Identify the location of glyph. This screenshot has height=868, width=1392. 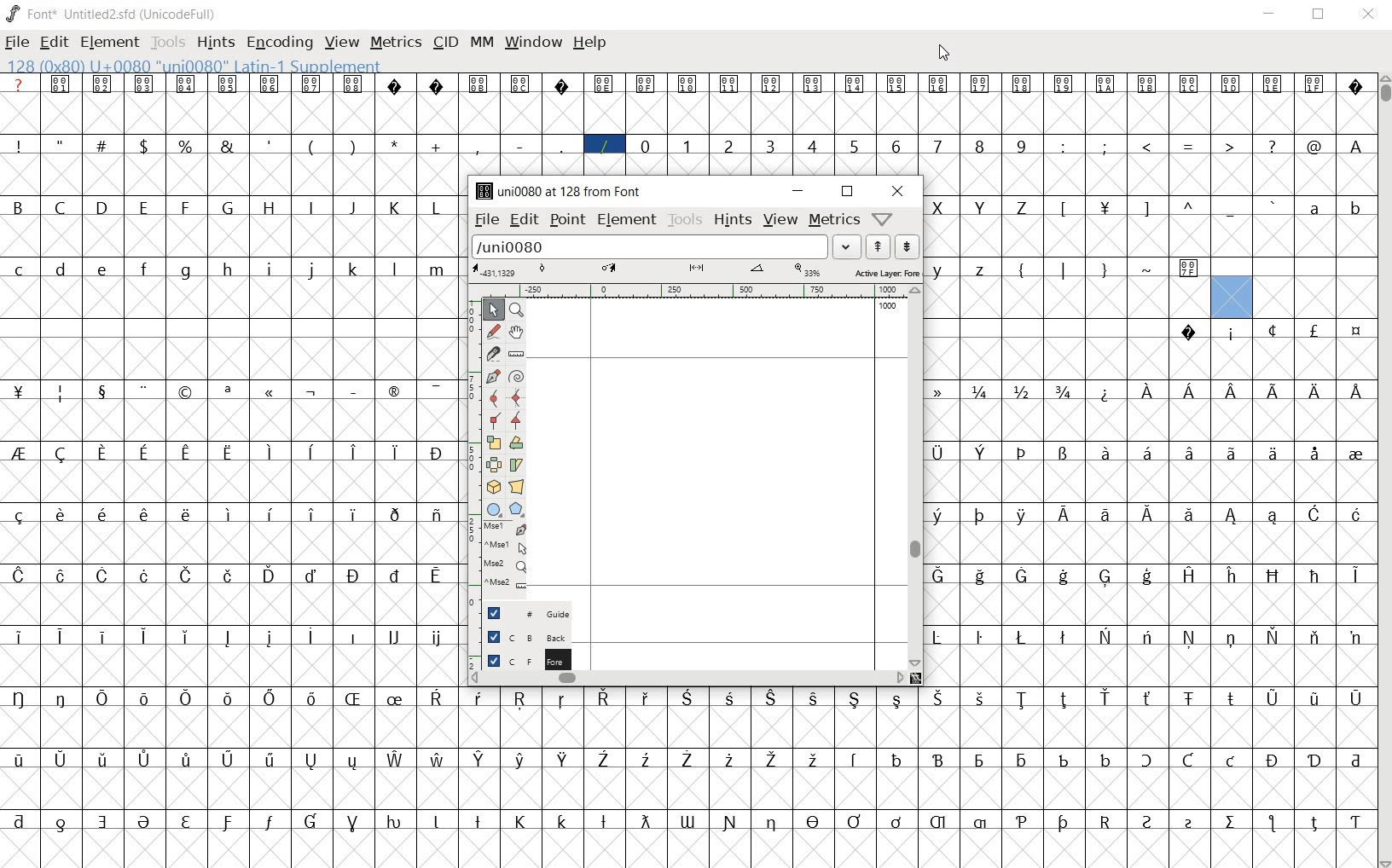
(980, 392).